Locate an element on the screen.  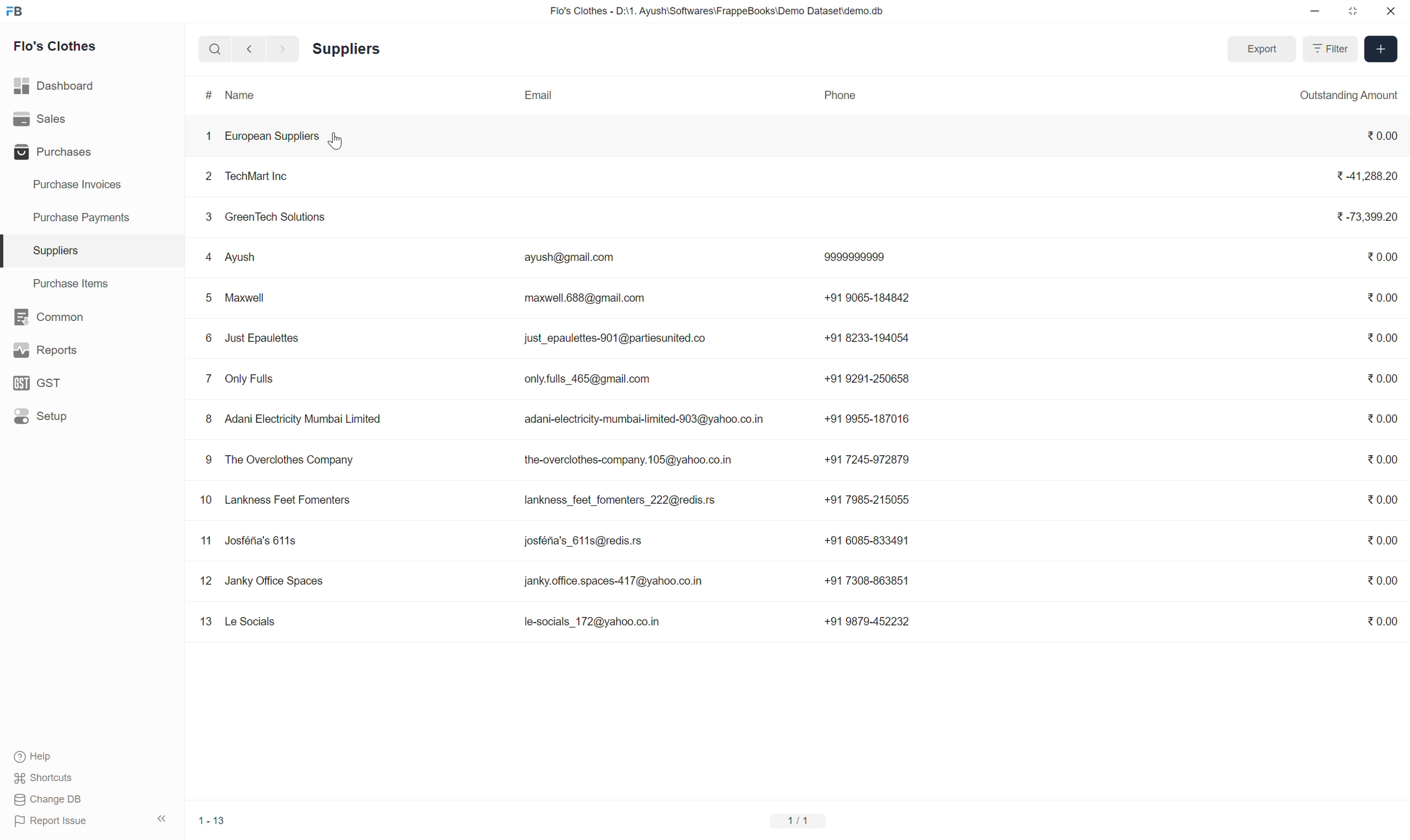
20.00 is located at coordinates (1377, 578).